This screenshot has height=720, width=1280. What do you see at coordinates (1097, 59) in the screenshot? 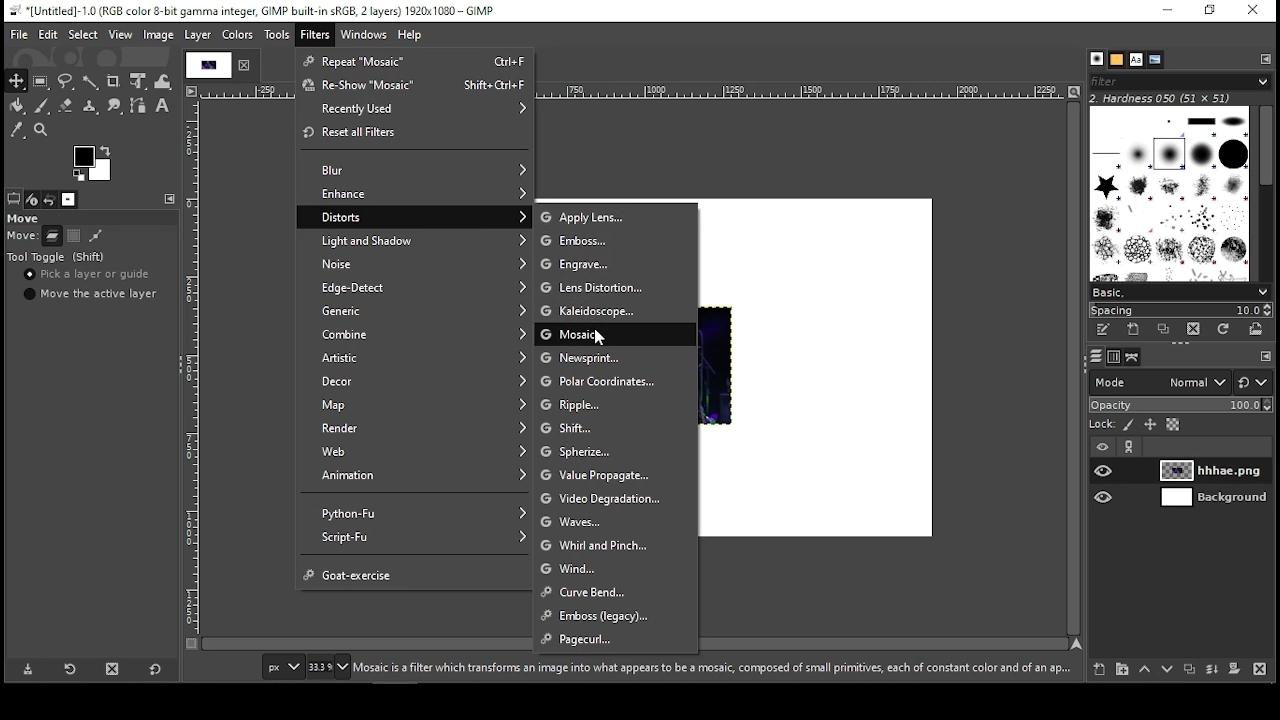
I see `brushes` at bounding box center [1097, 59].